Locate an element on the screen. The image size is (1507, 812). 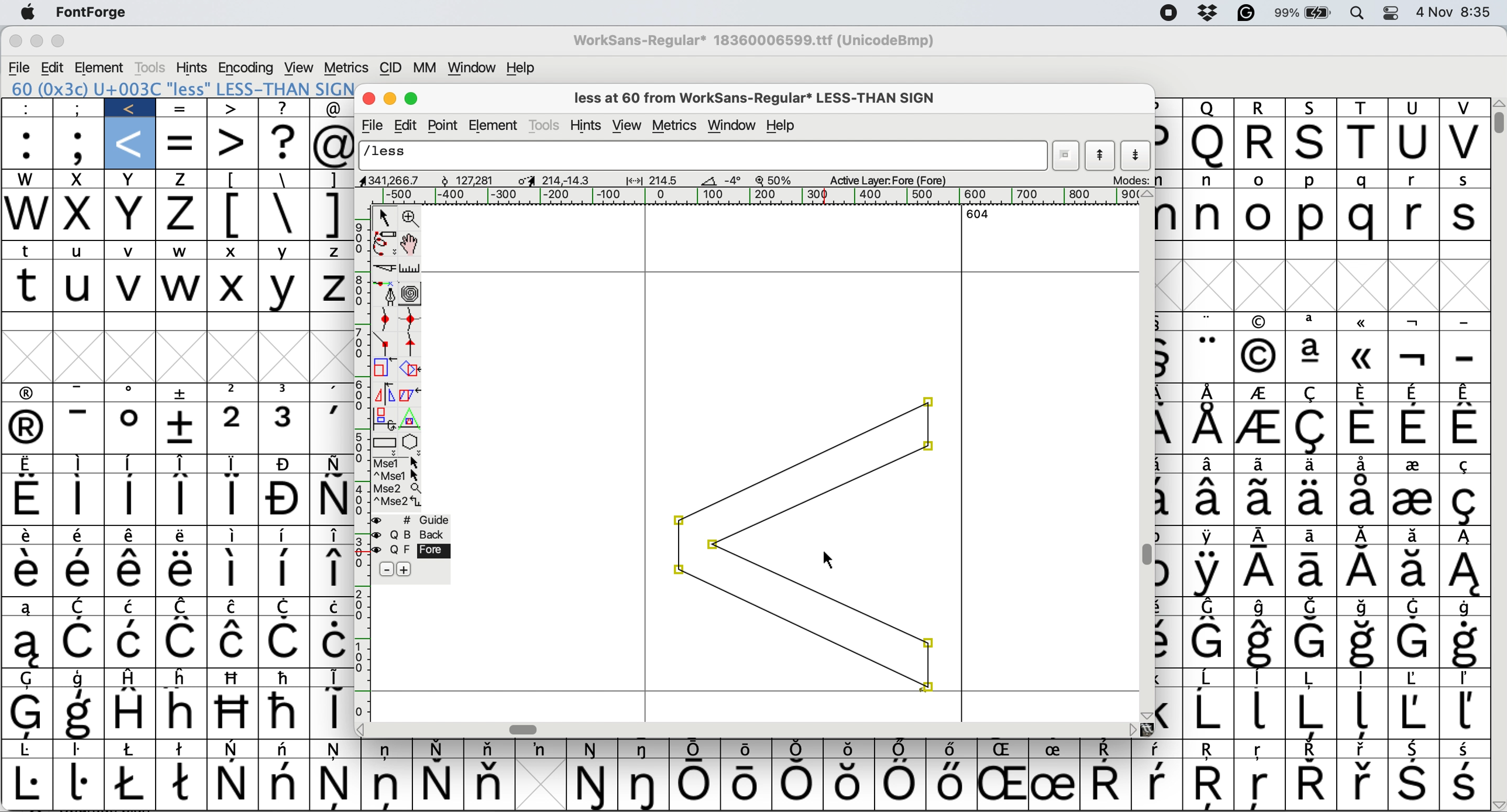
m is located at coordinates (1168, 181).